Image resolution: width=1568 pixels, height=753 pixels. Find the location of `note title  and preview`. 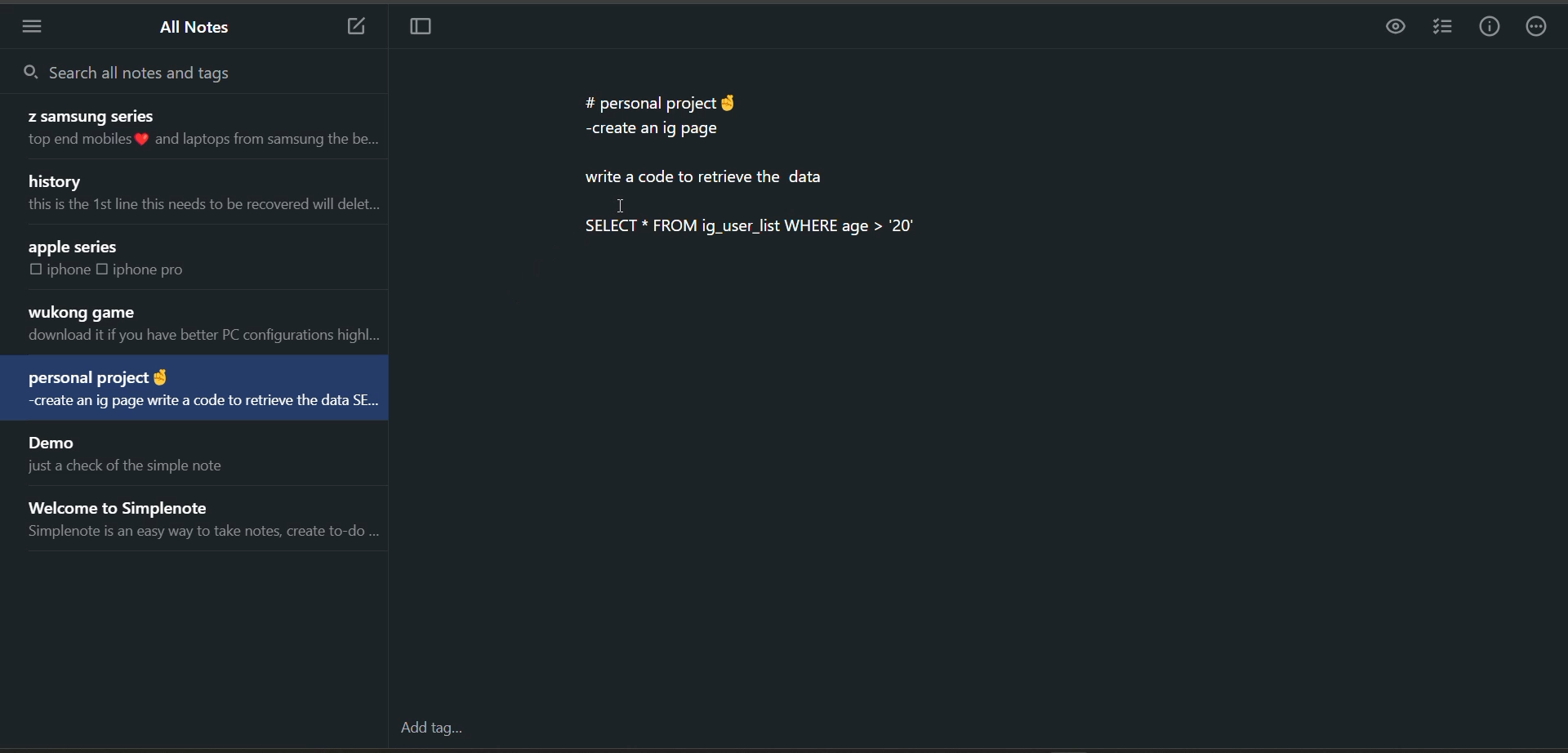

note title  and preview is located at coordinates (122, 453).